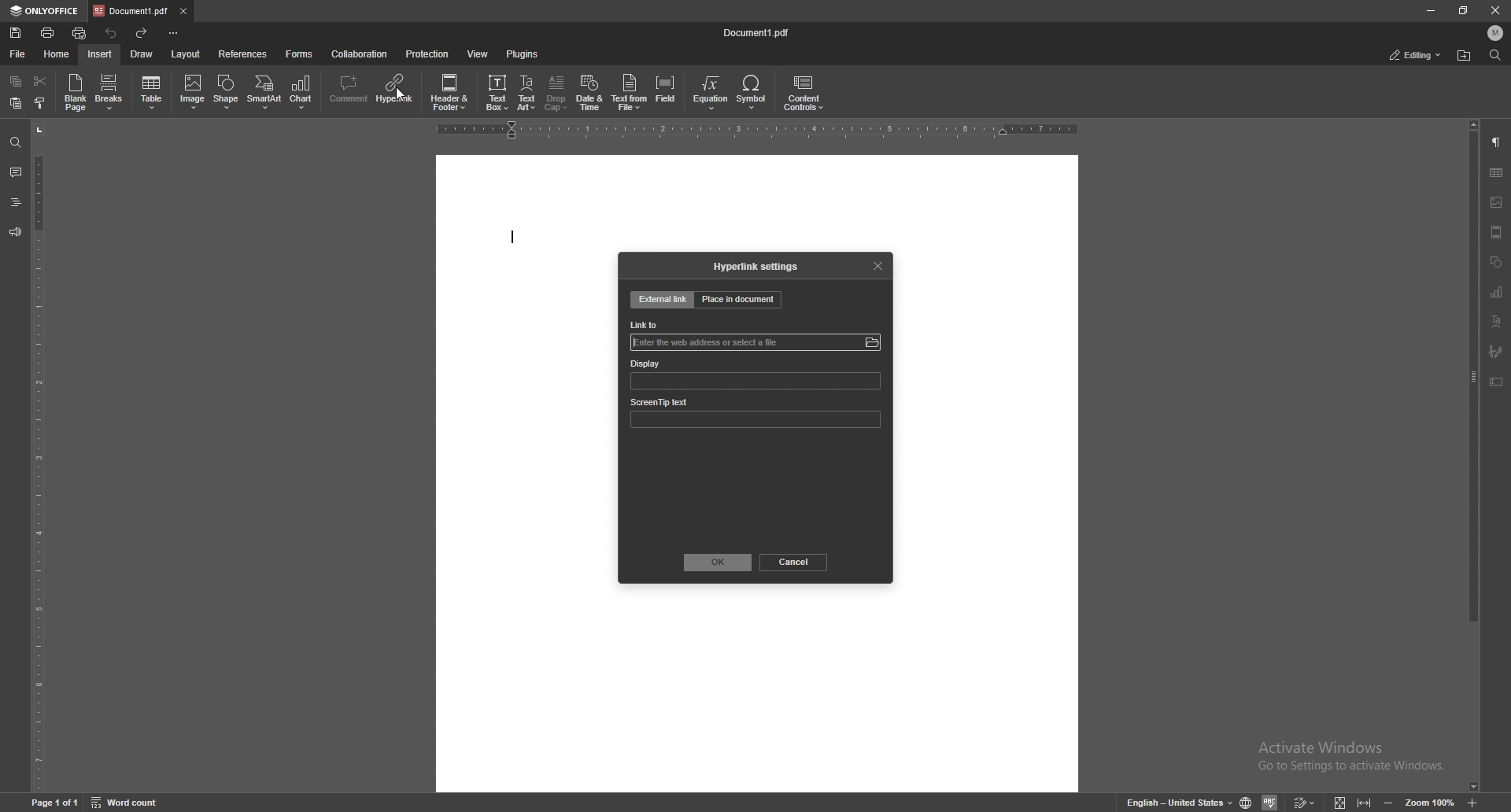 This screenshot has width=1511, height=812. I want to click on paragraph, so click(1498, 142).